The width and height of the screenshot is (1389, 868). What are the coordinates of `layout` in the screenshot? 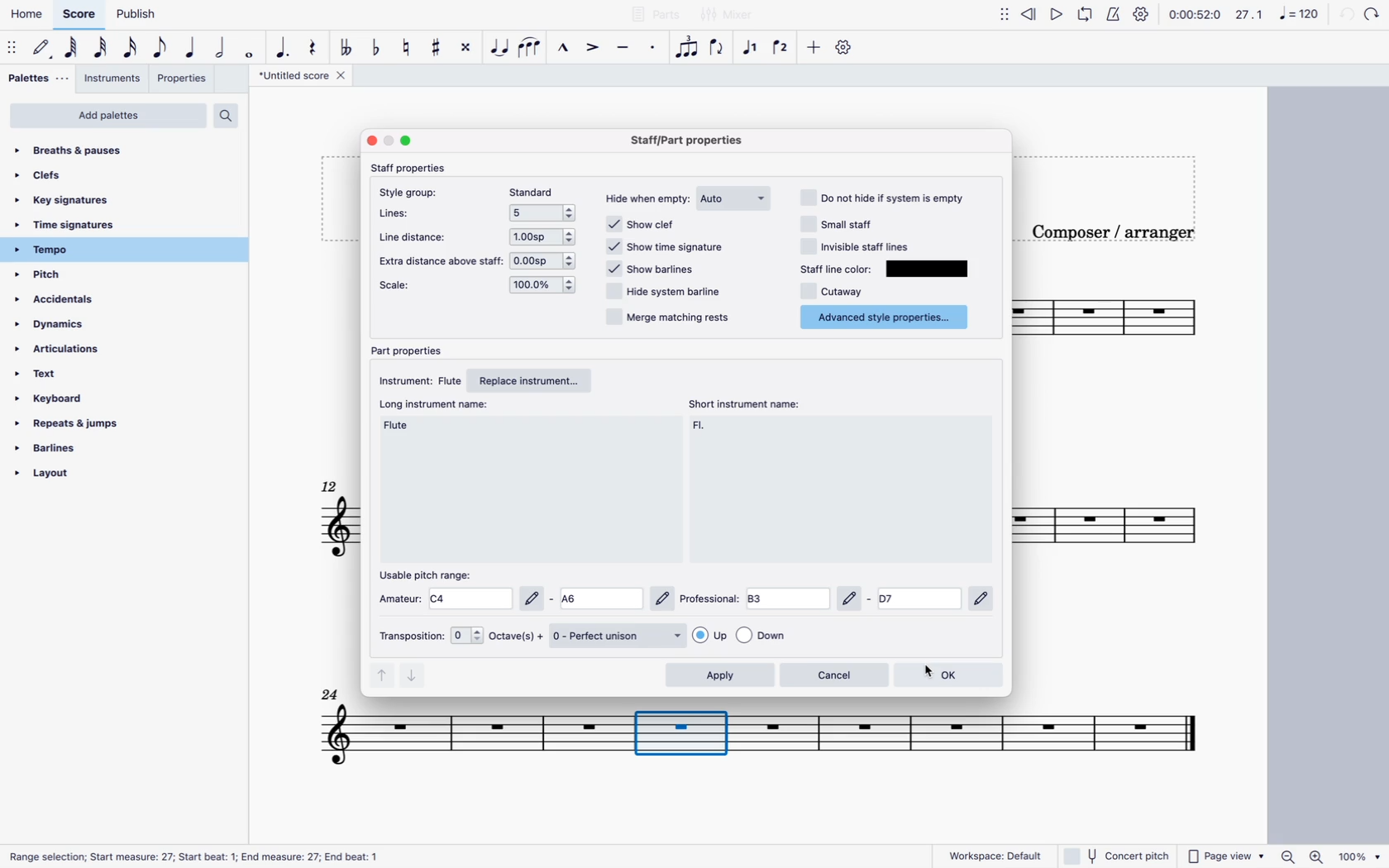 It's located at (113, 474).